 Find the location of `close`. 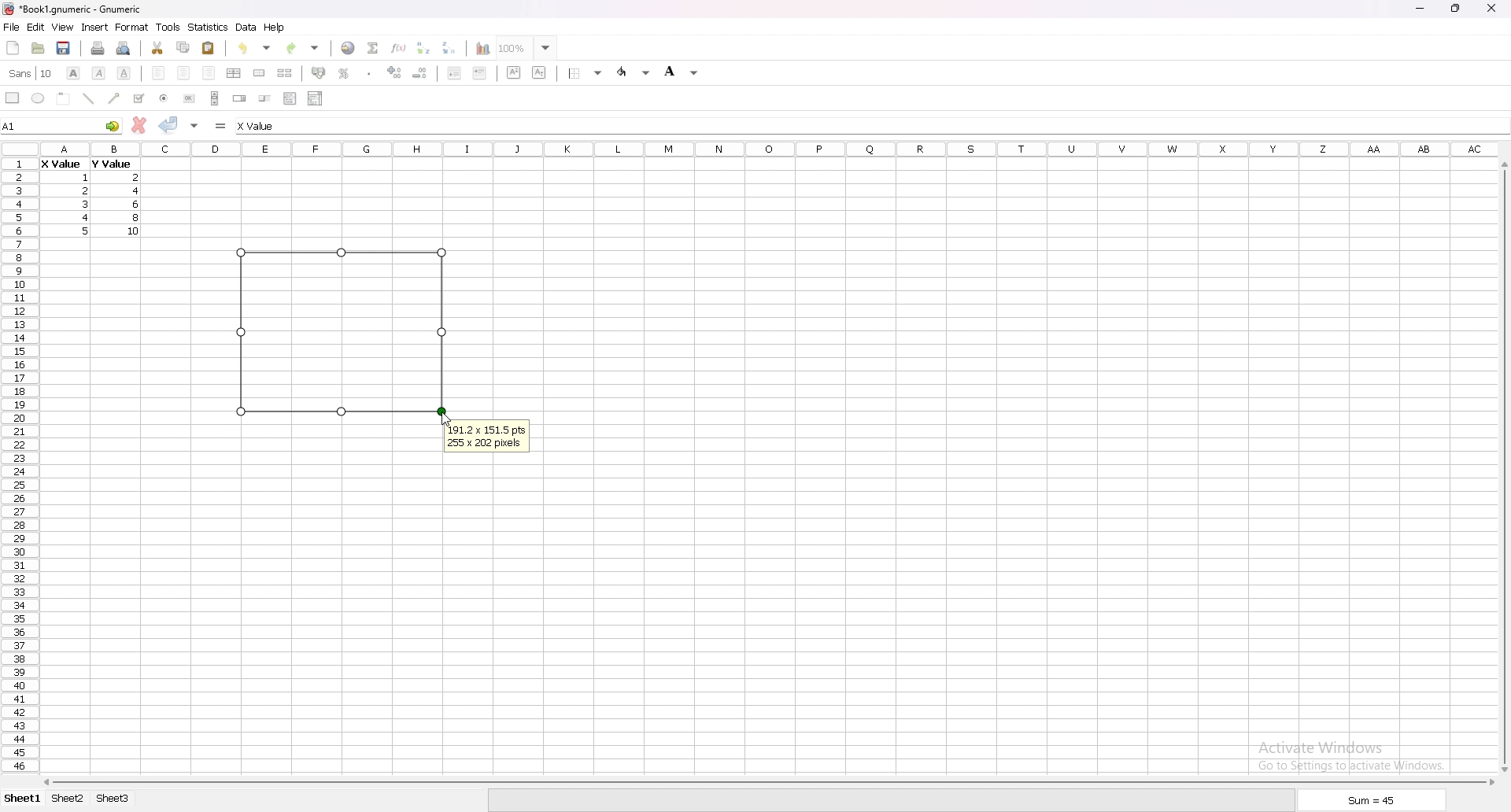

close is located at coordinates (1491, 8).